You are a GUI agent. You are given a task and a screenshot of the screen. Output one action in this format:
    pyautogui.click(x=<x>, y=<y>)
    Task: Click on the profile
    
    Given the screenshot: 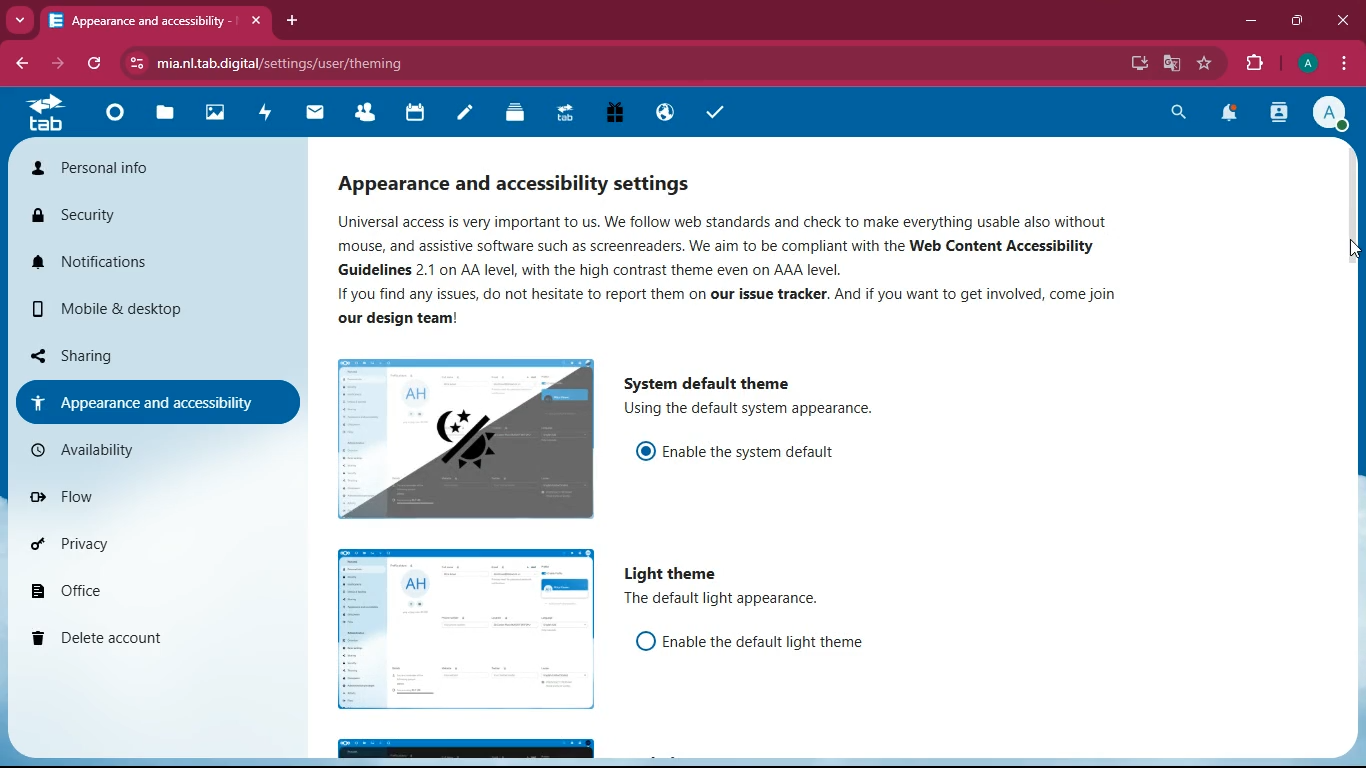 What is the action you would take?
    pyautogui.click(x=1303, y=63)
    